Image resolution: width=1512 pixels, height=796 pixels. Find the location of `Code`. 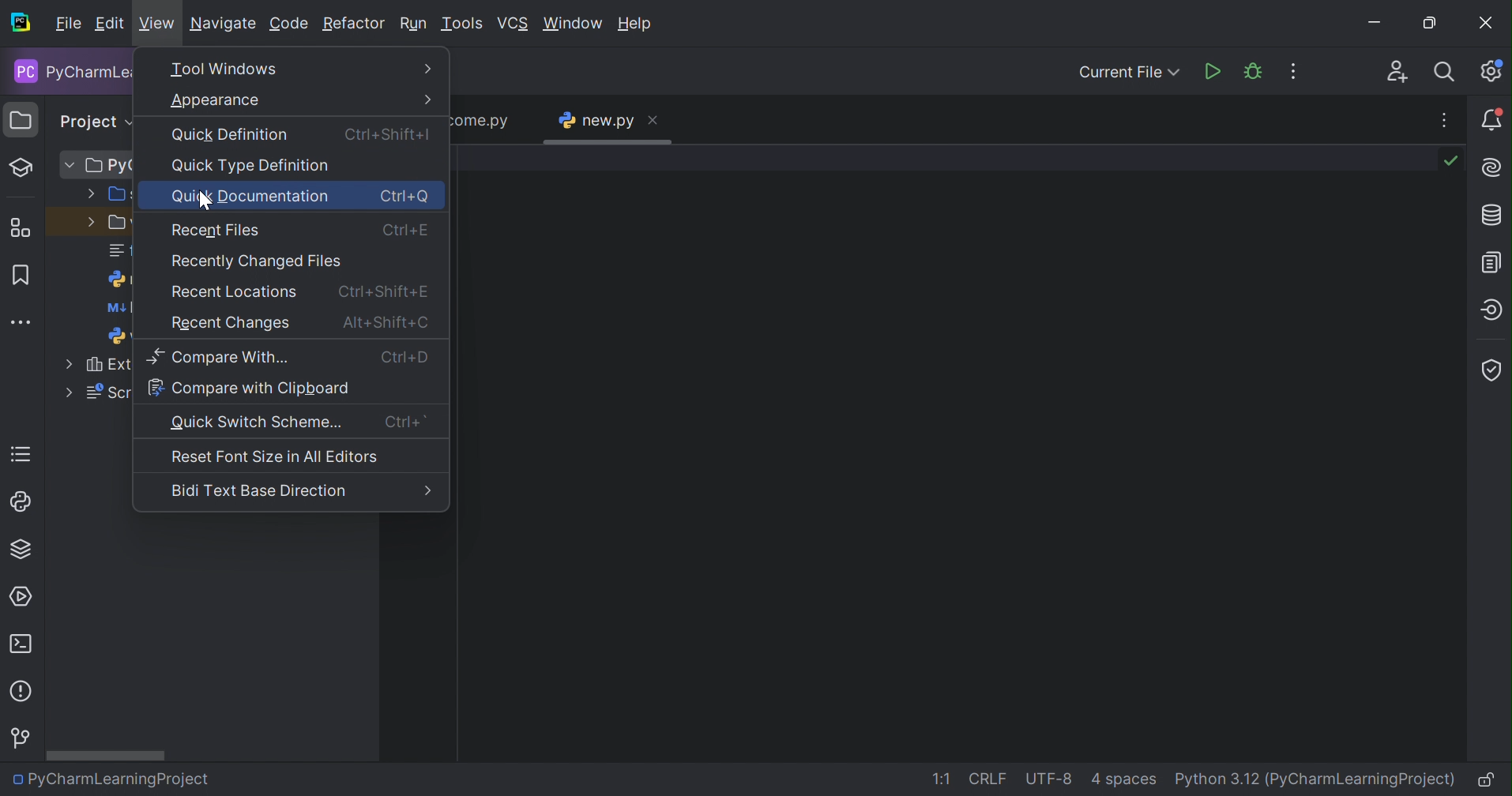

Code is located at coordinates (289, 24).